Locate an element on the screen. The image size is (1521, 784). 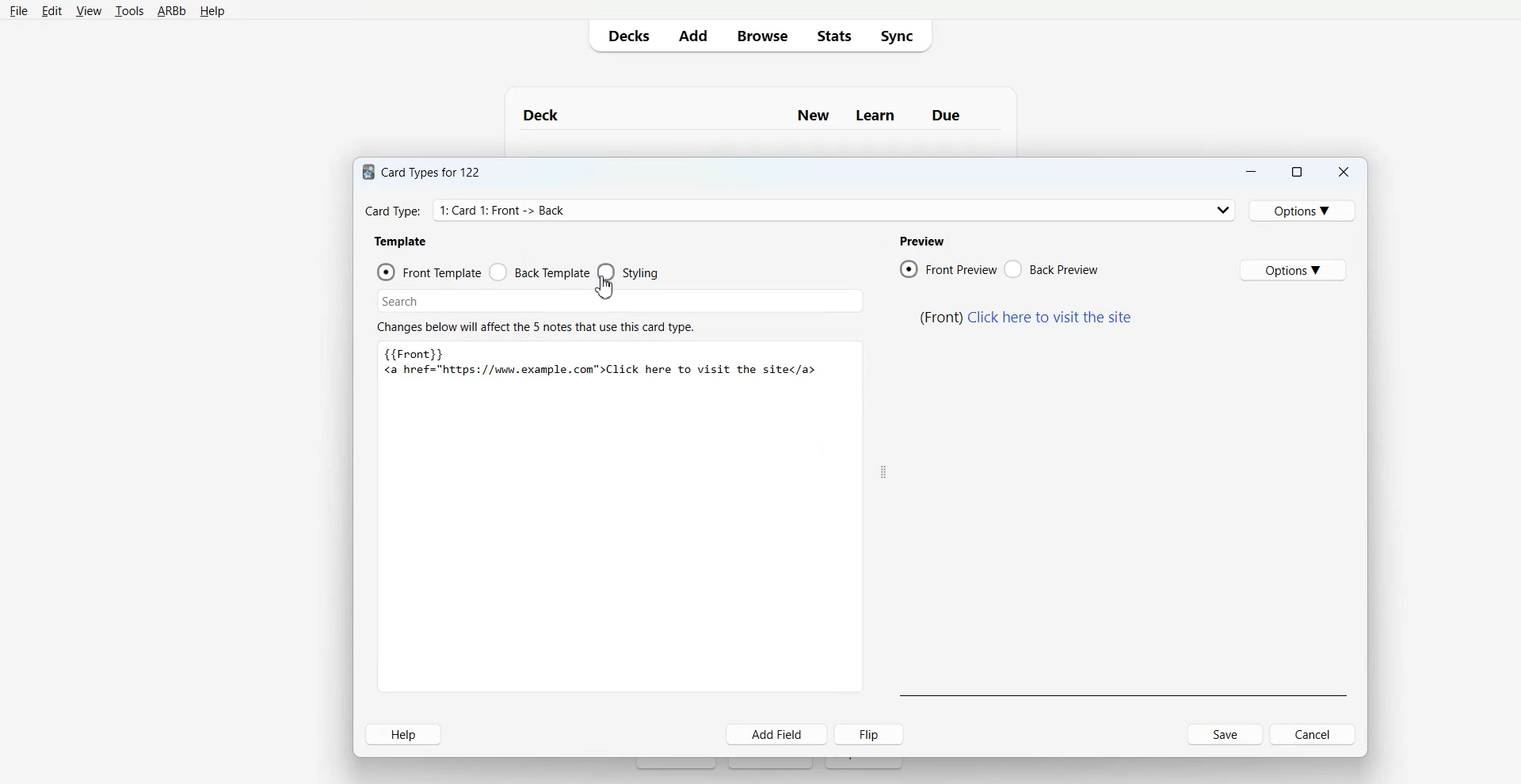
Help is located at coordinates (405, 733).